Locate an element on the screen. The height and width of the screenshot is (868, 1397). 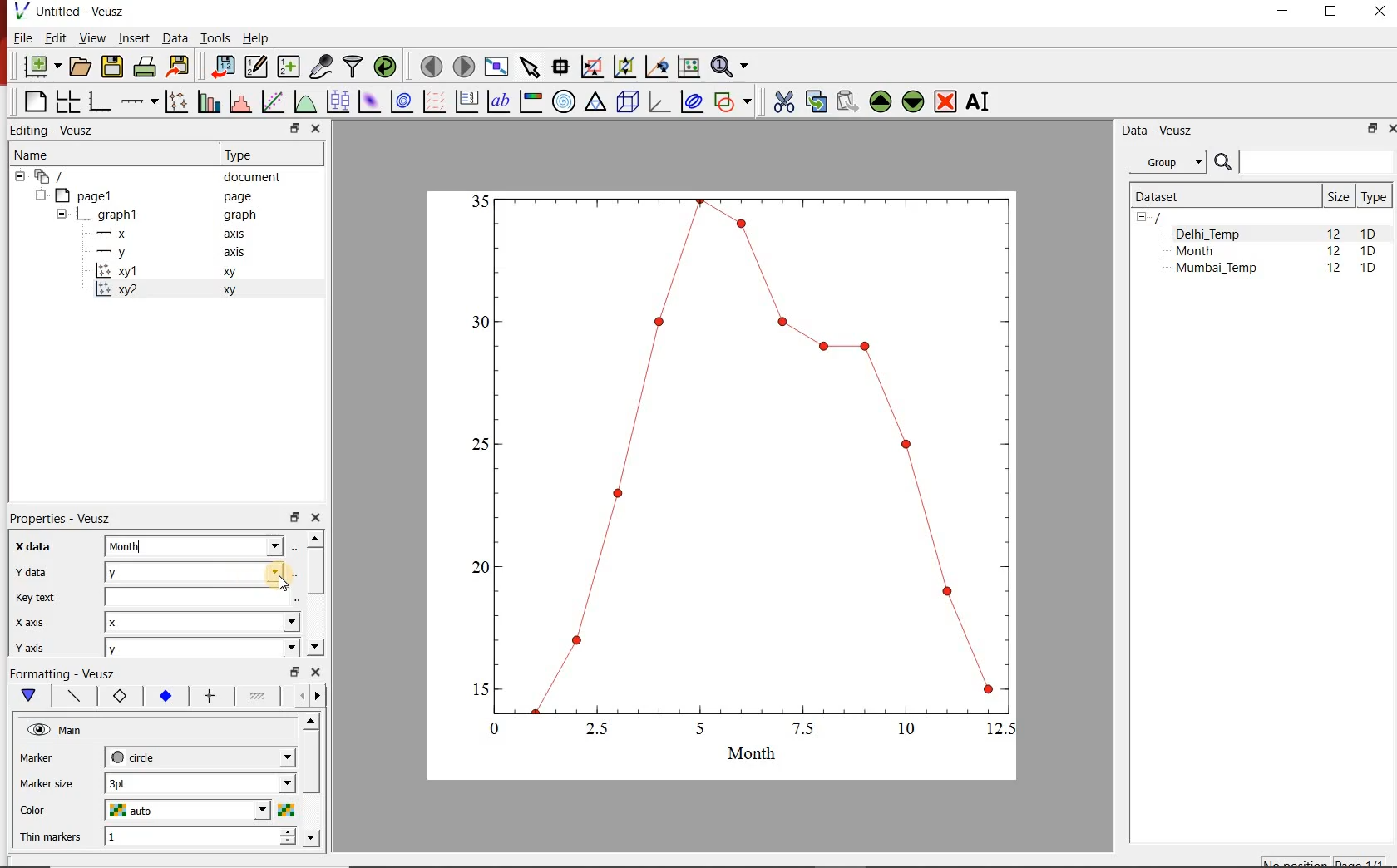
new document is located at coordinates (41, 67).